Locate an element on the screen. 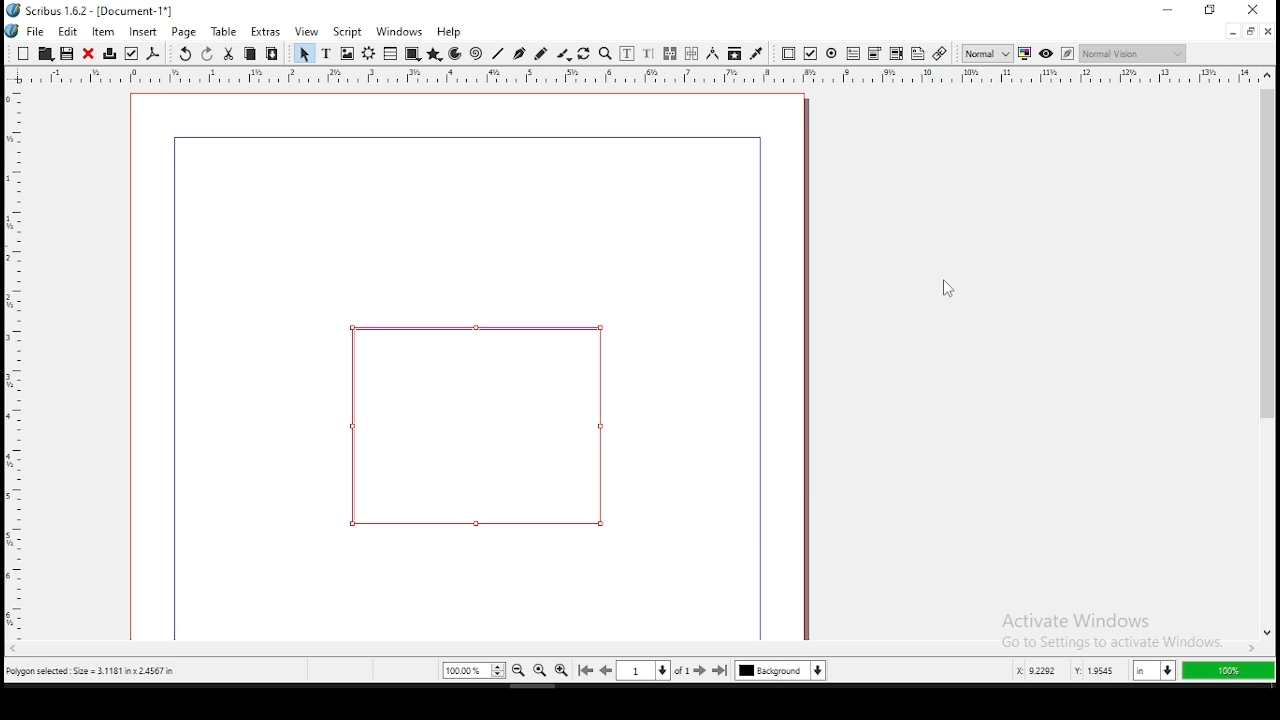 This screenshot has height=720, width=1280. redo is located at coordinates (207, 54).